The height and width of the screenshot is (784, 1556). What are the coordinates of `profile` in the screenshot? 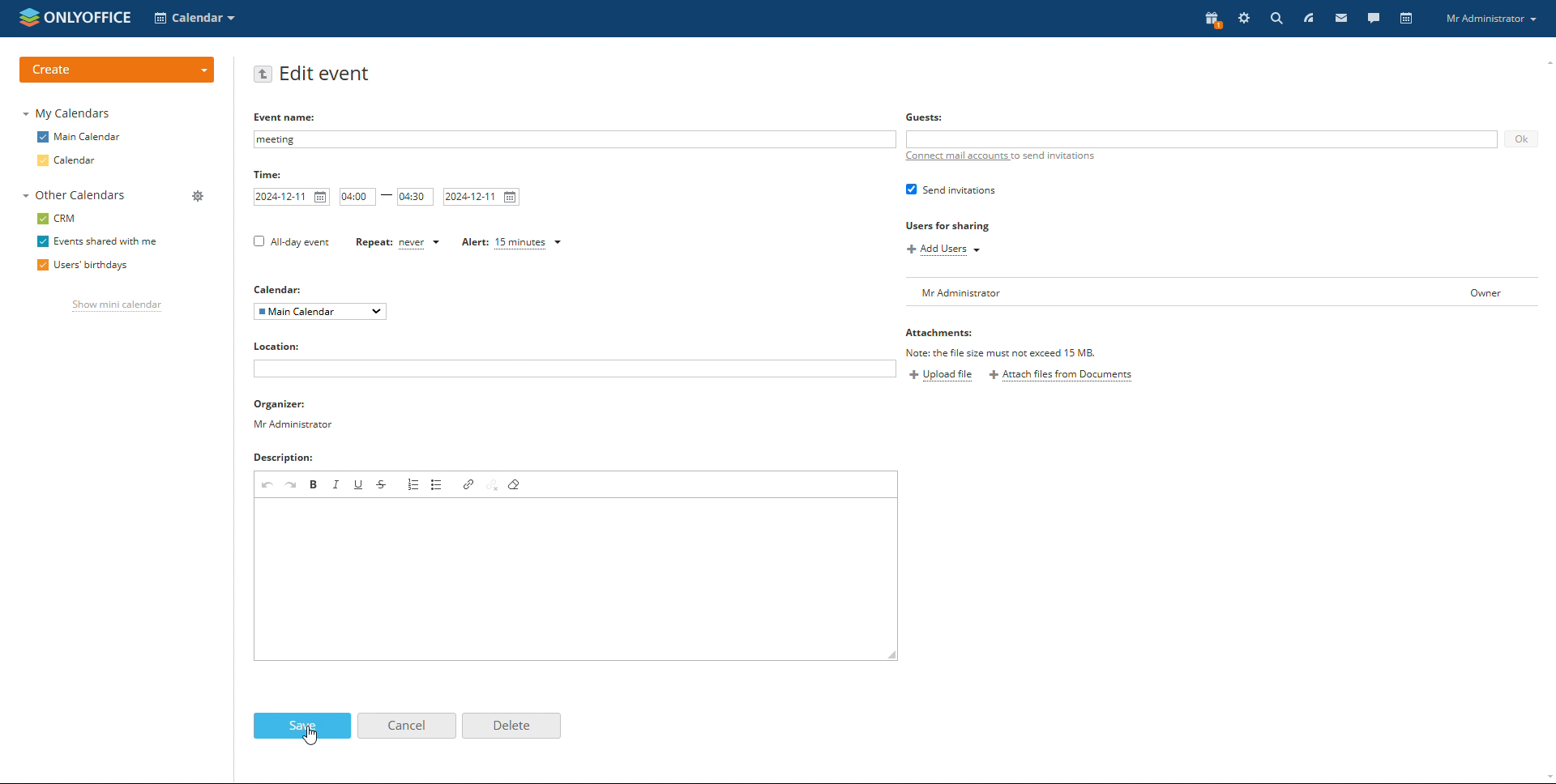 It's located at (1494, 19).